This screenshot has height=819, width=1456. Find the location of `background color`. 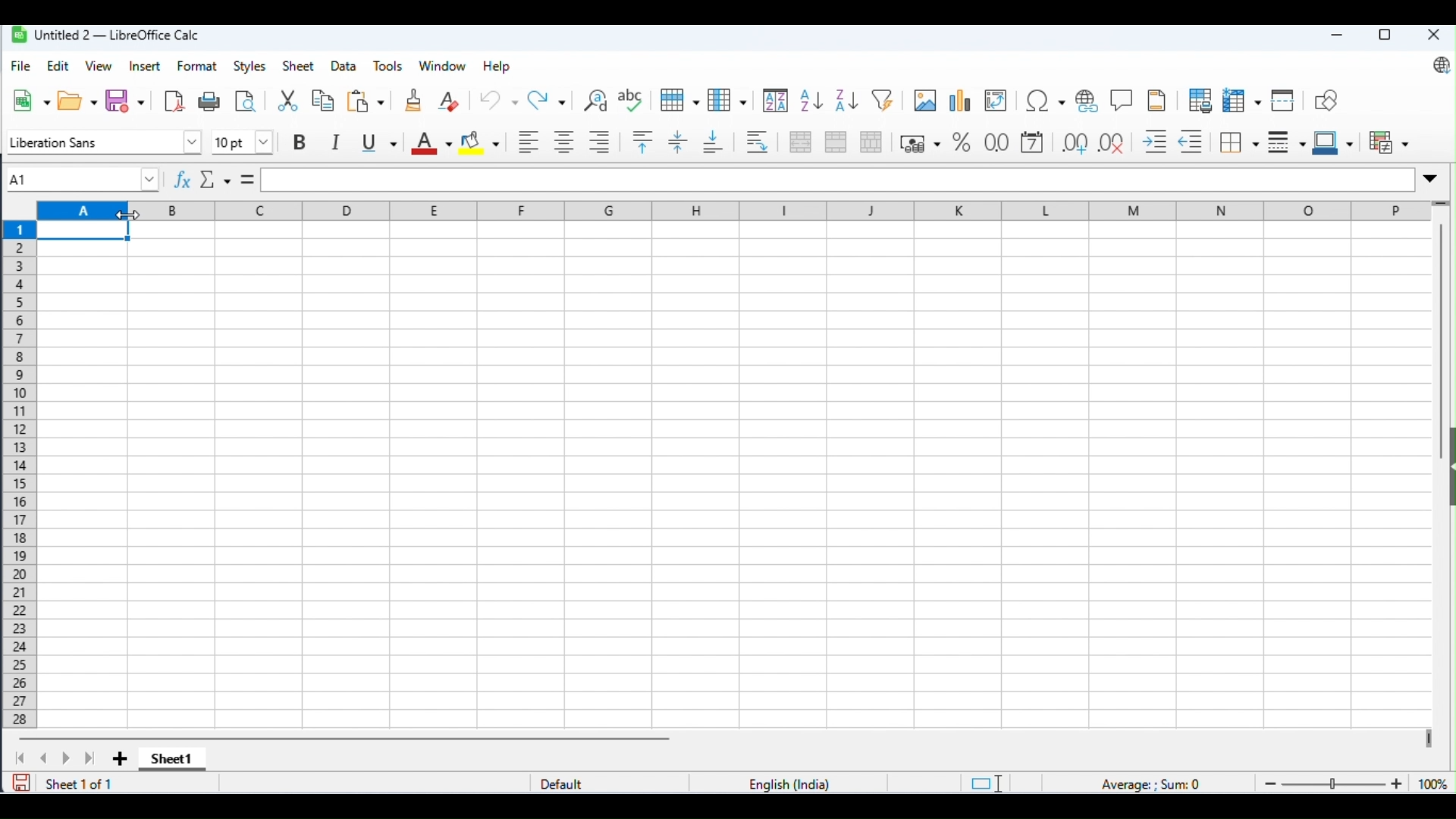

background color is located at coordinates (481, 140).